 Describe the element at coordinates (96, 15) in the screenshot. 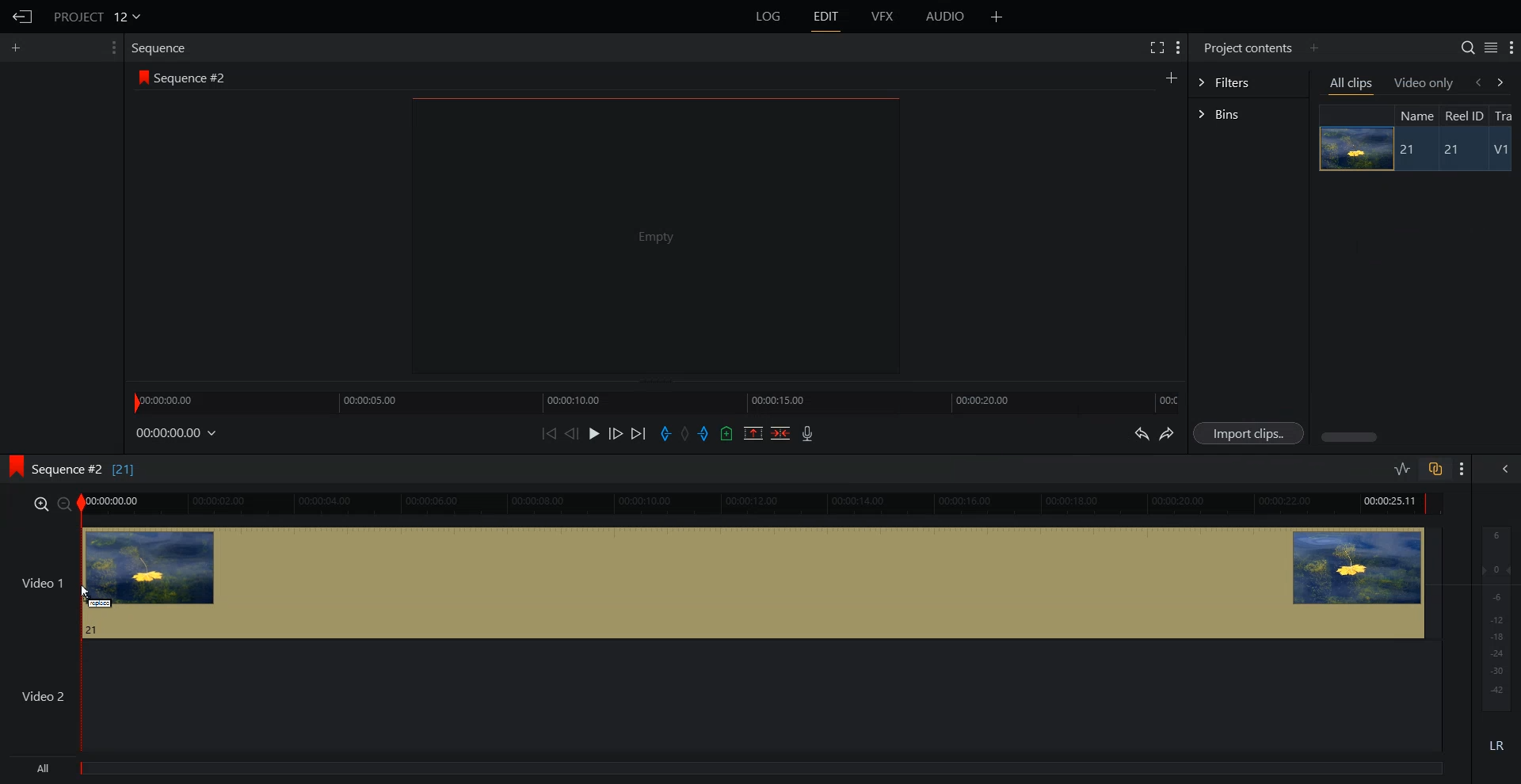

I see `Project 12` at that location.